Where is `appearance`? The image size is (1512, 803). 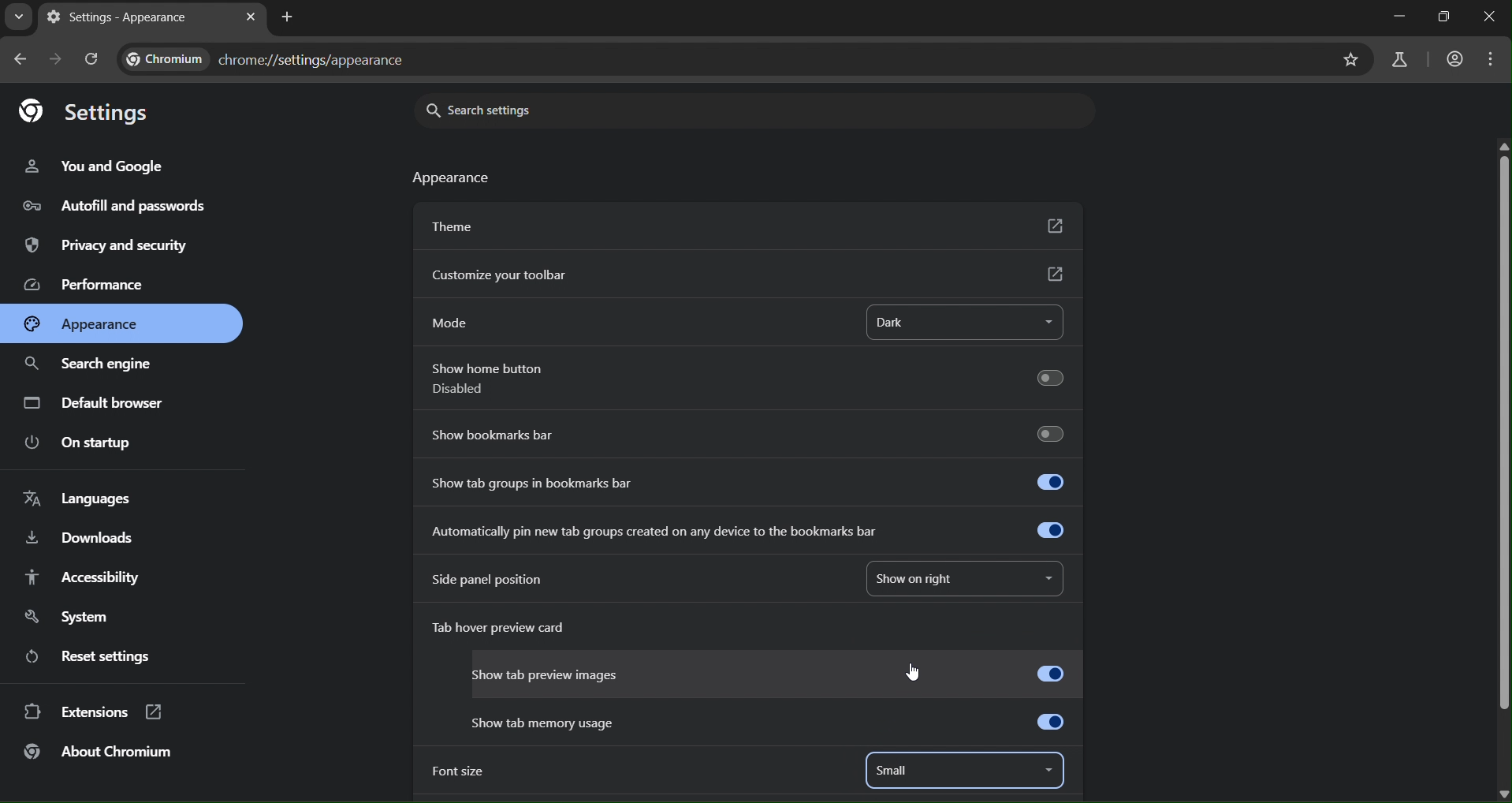 appearance is located at coordinates (449, 179).